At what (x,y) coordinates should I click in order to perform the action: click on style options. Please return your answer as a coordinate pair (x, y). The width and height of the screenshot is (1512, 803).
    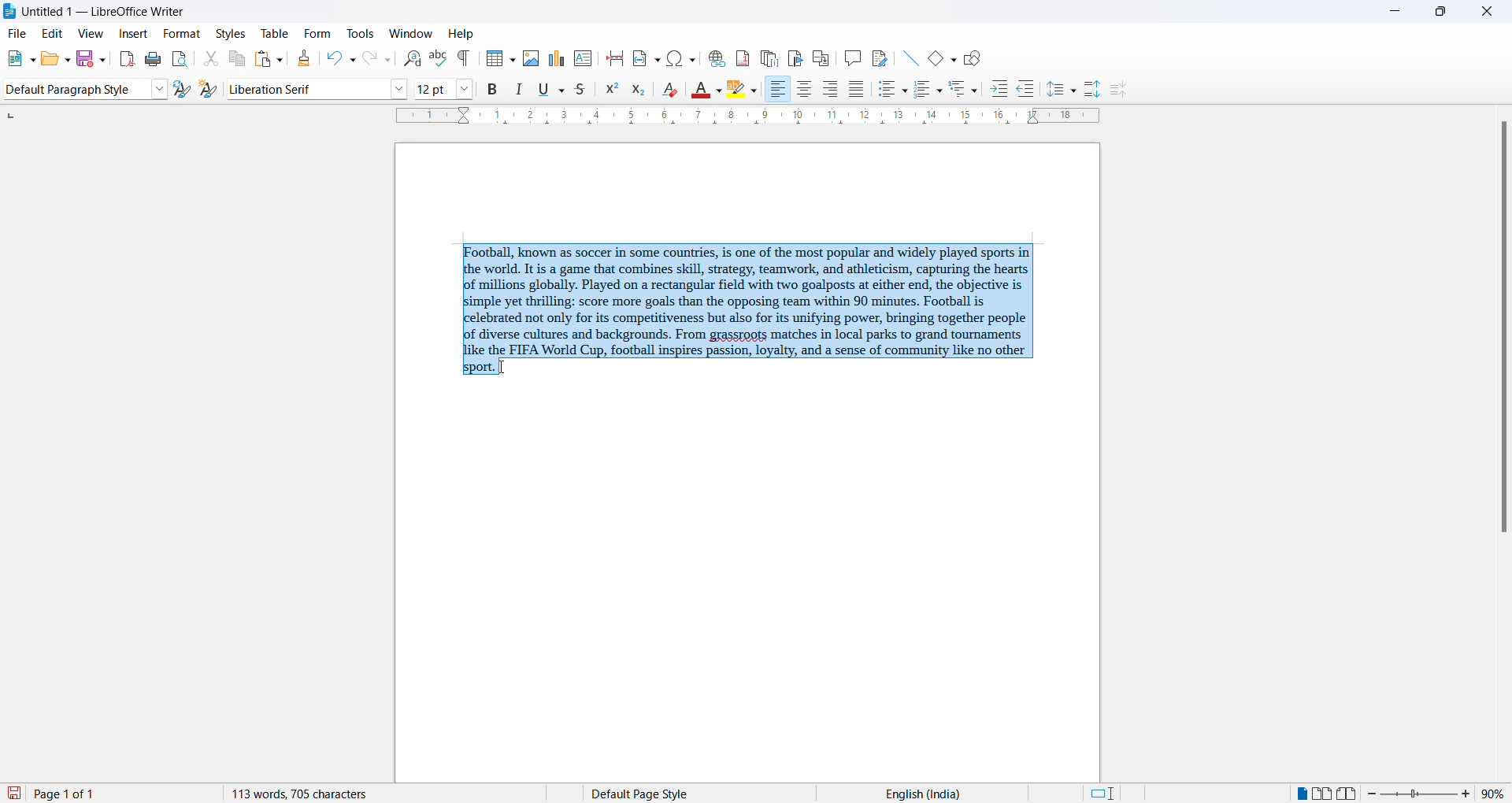
    Looking at the image, I should click on (161, 87).